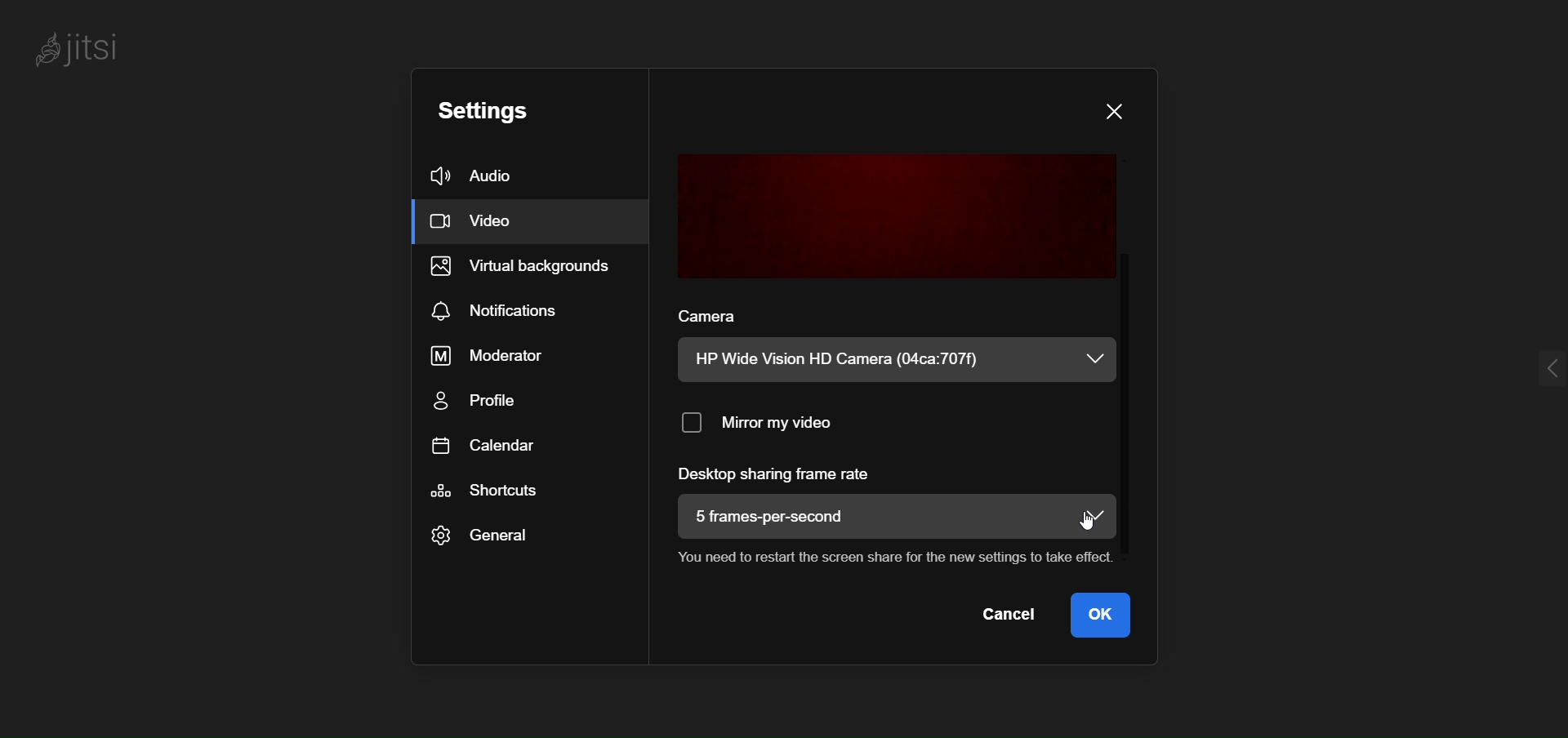 The height and width of the screenshot is (738, 1568). I want to click on 5 frames-per-second, so click(776, 516).